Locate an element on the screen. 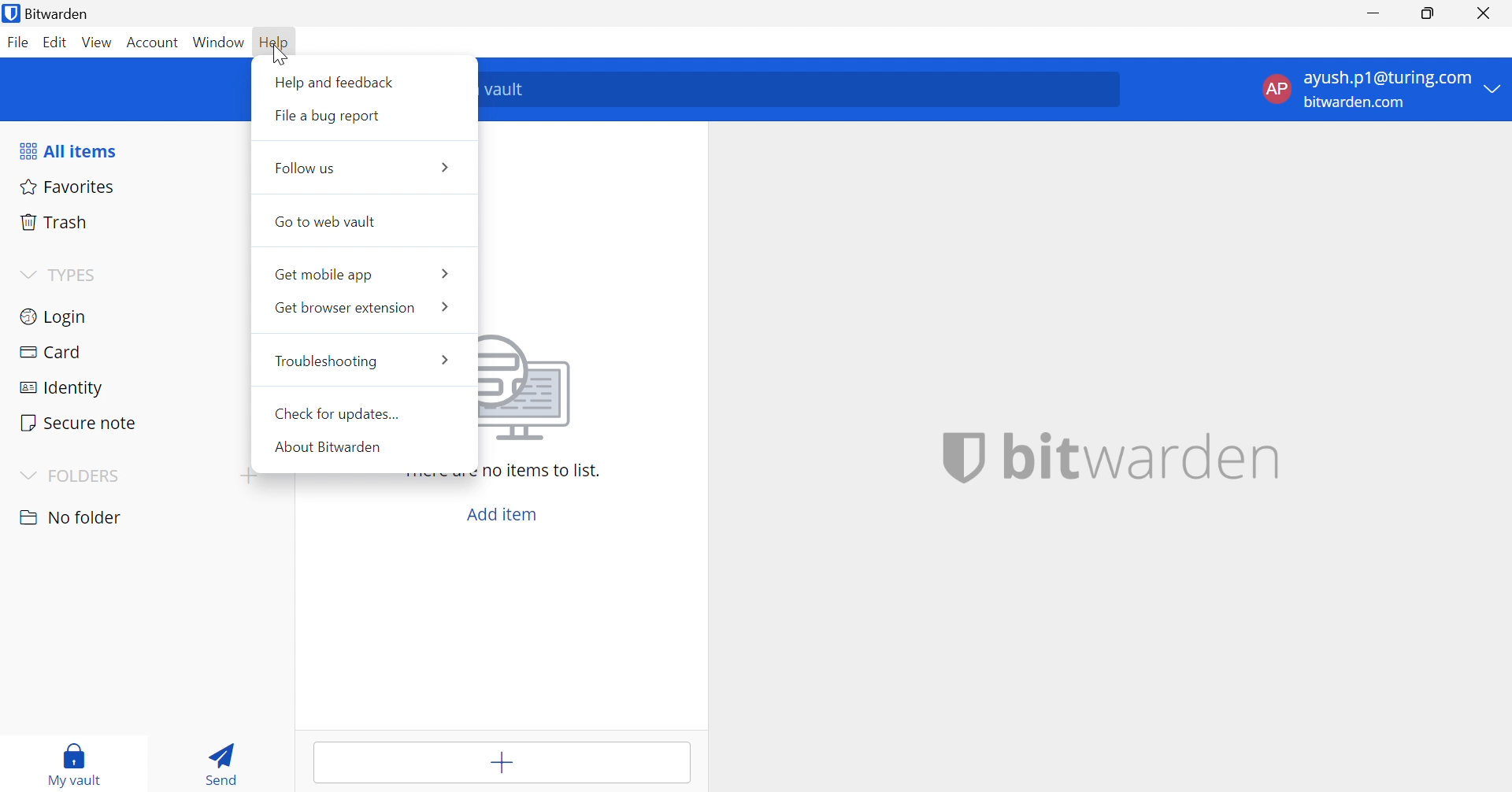 This screenshot has width=1512, height=792. Add item is located at coordinates (503, 764).